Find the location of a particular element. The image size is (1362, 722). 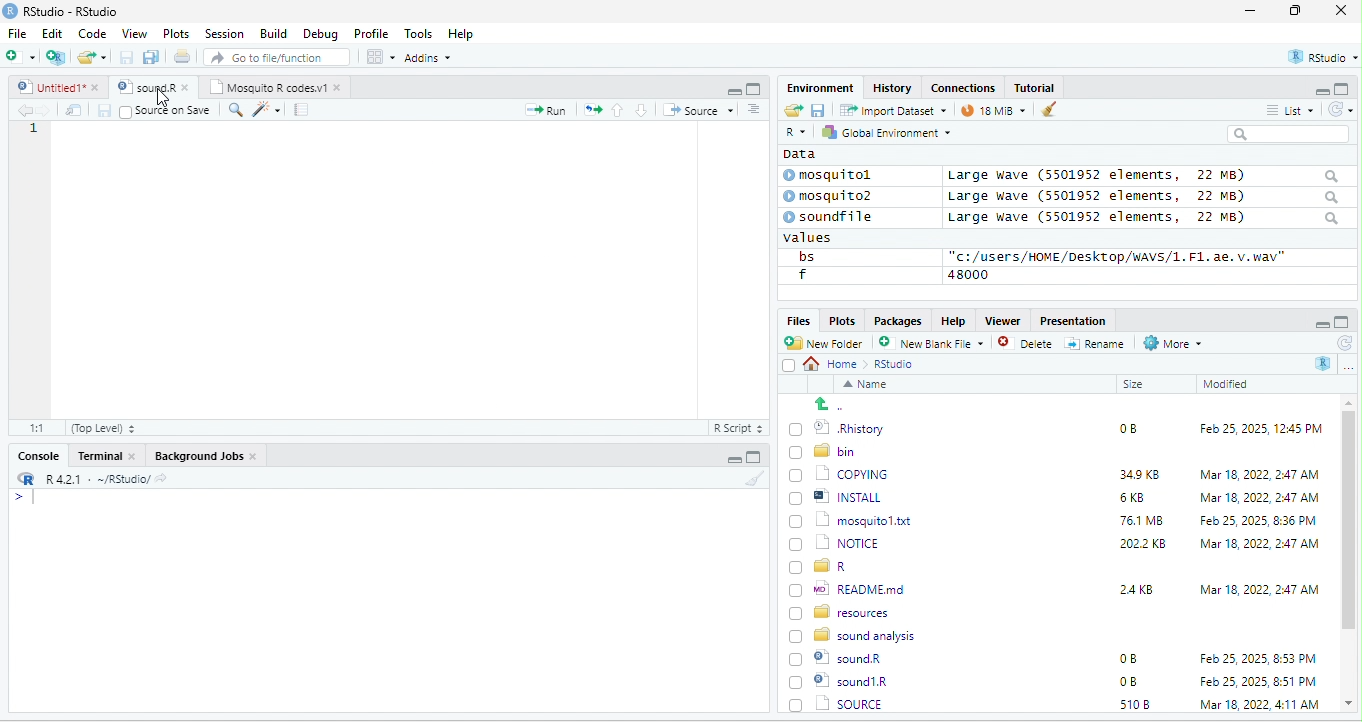

349K8 is located at coordinates (1140, 475).